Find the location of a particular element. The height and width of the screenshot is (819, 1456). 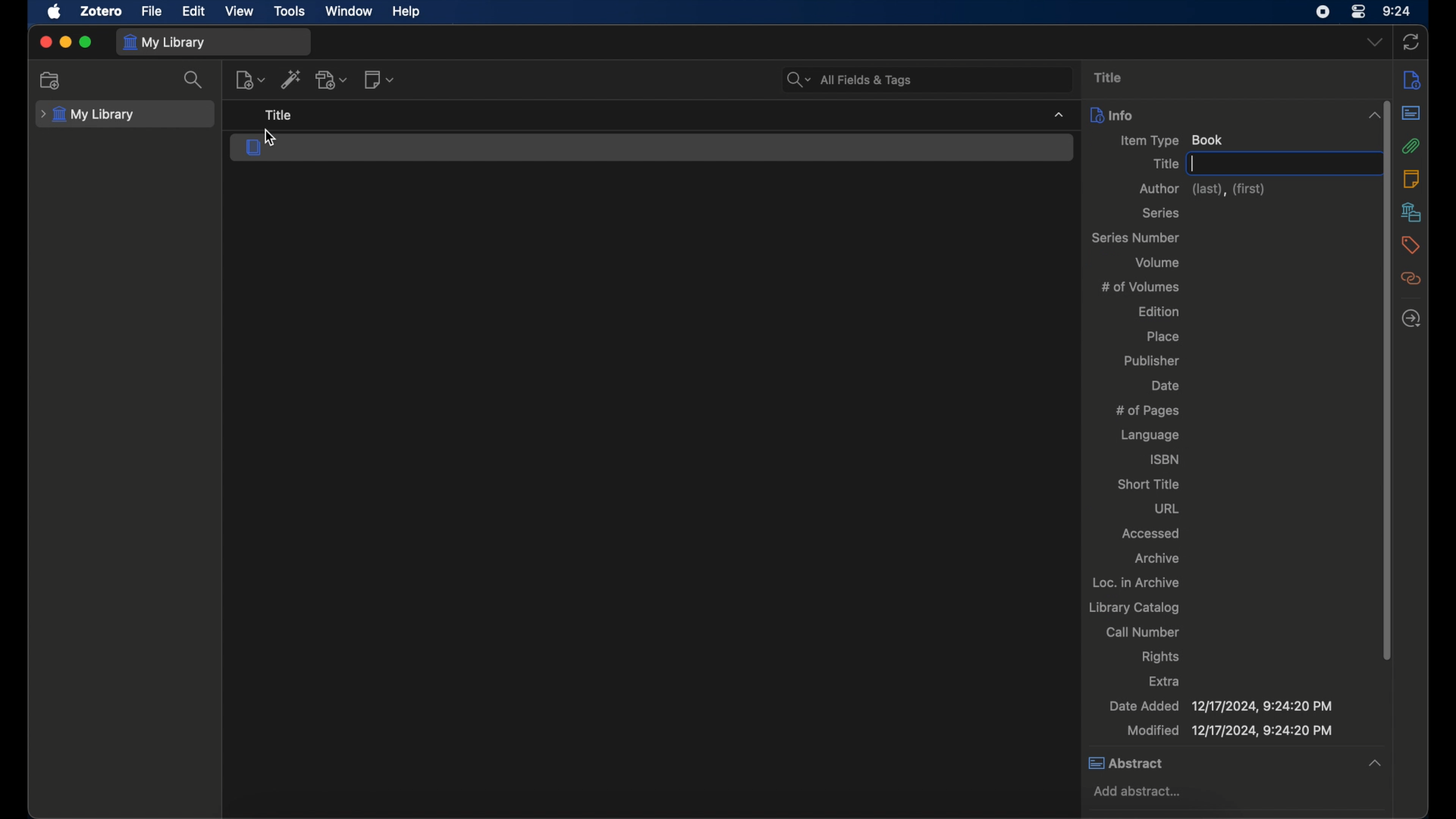

add attachment is located at coordinates (333, 80).